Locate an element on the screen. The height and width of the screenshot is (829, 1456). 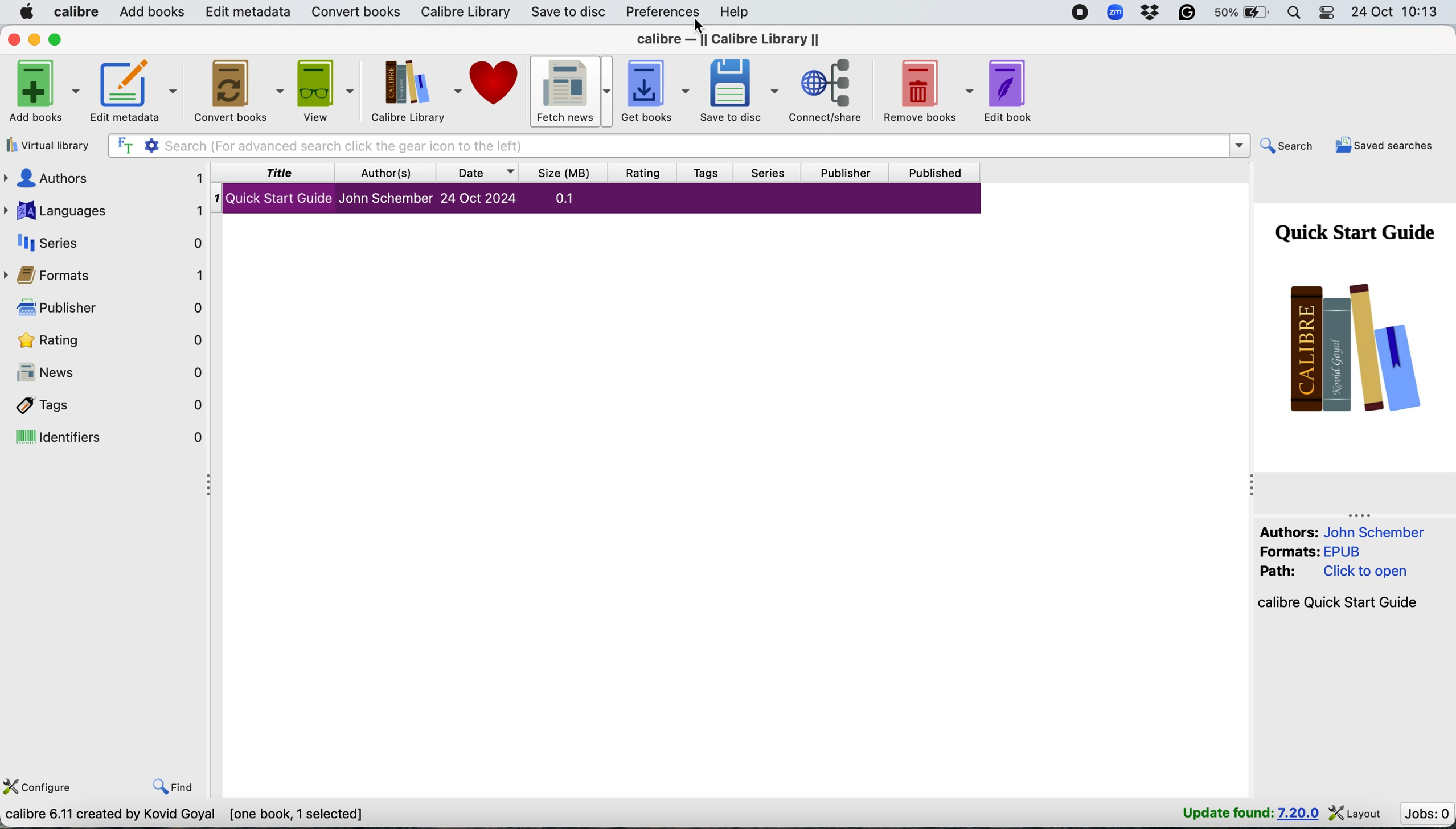
rating is located at coordinates (641, 173).